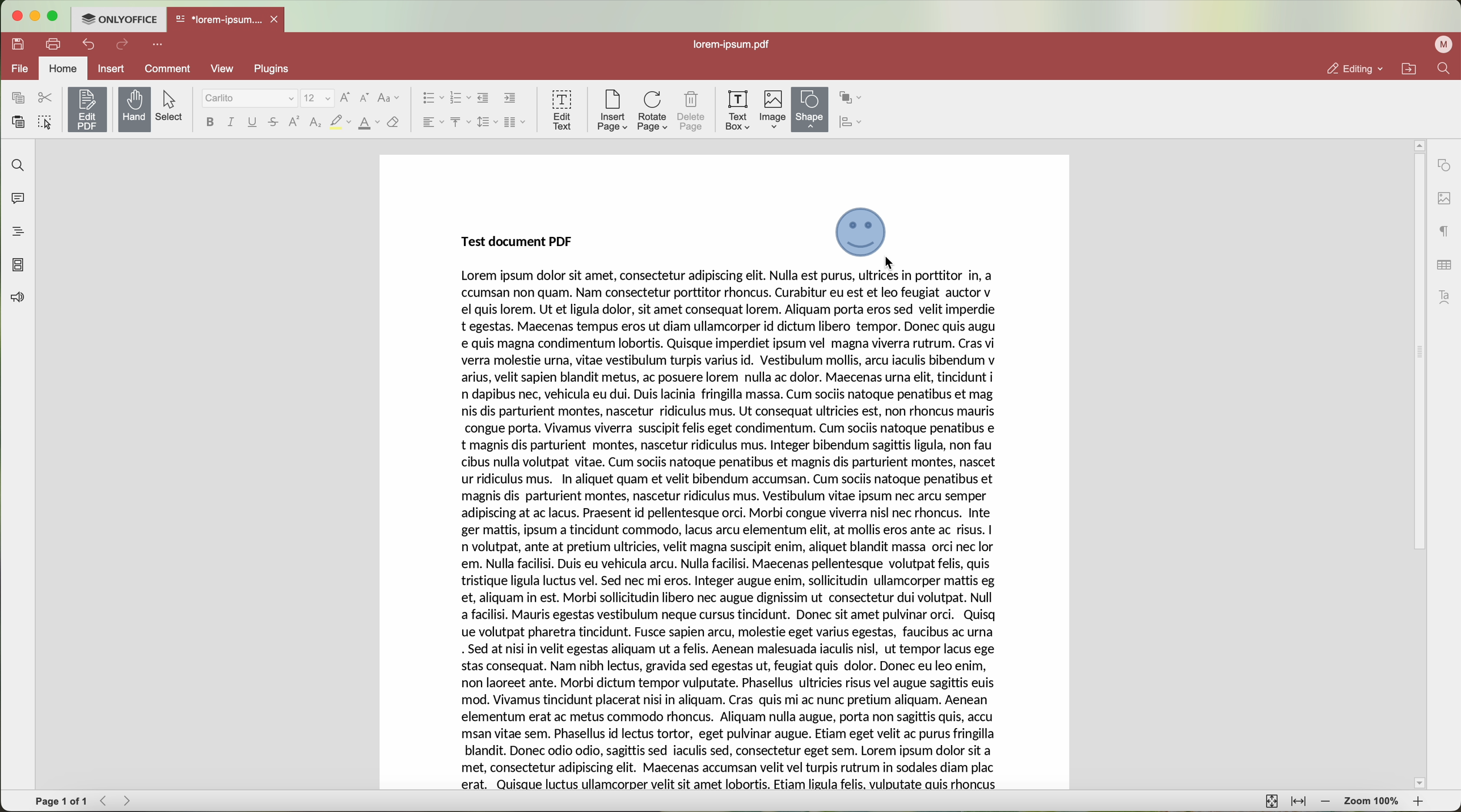 The height and width of the screenshot is (812, 1461). I want to click on subscript, so click(315, 124).